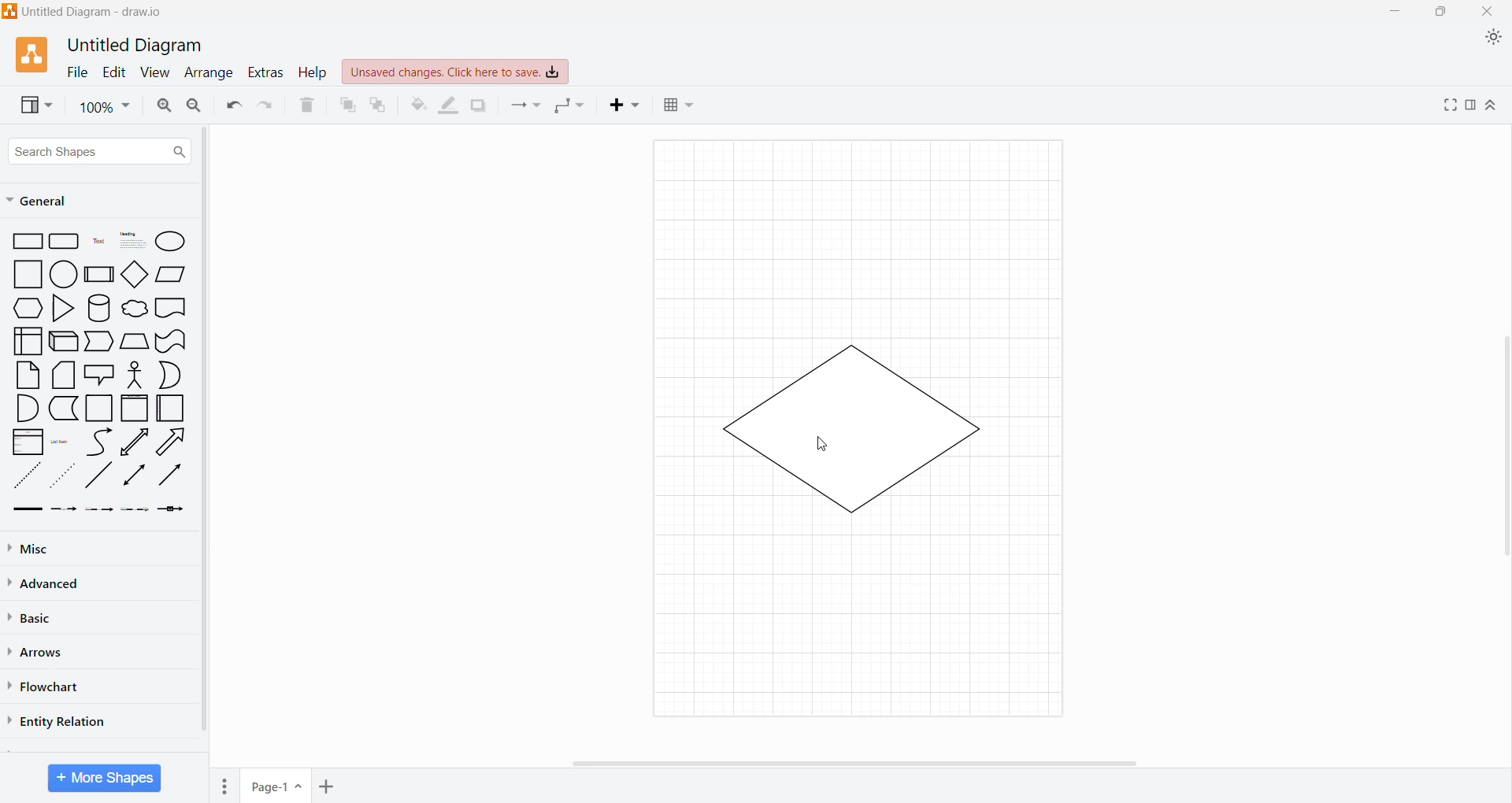  What do you see at coordinates (105, 778) in the screenshot?
I see `More Shapes` at bounding box center [105, 778].